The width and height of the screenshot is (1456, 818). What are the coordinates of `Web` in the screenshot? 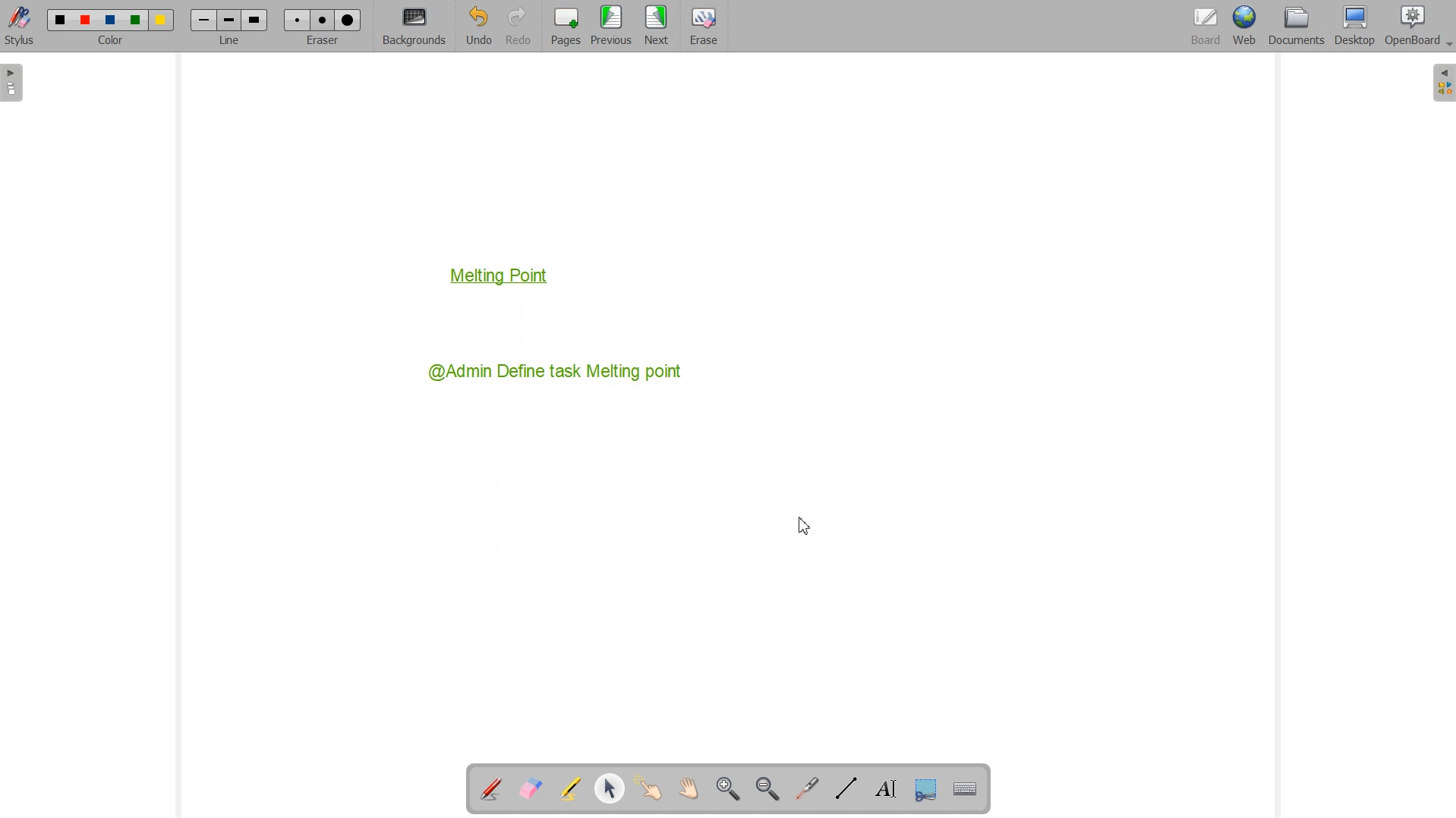 It's located at (1243, 27).